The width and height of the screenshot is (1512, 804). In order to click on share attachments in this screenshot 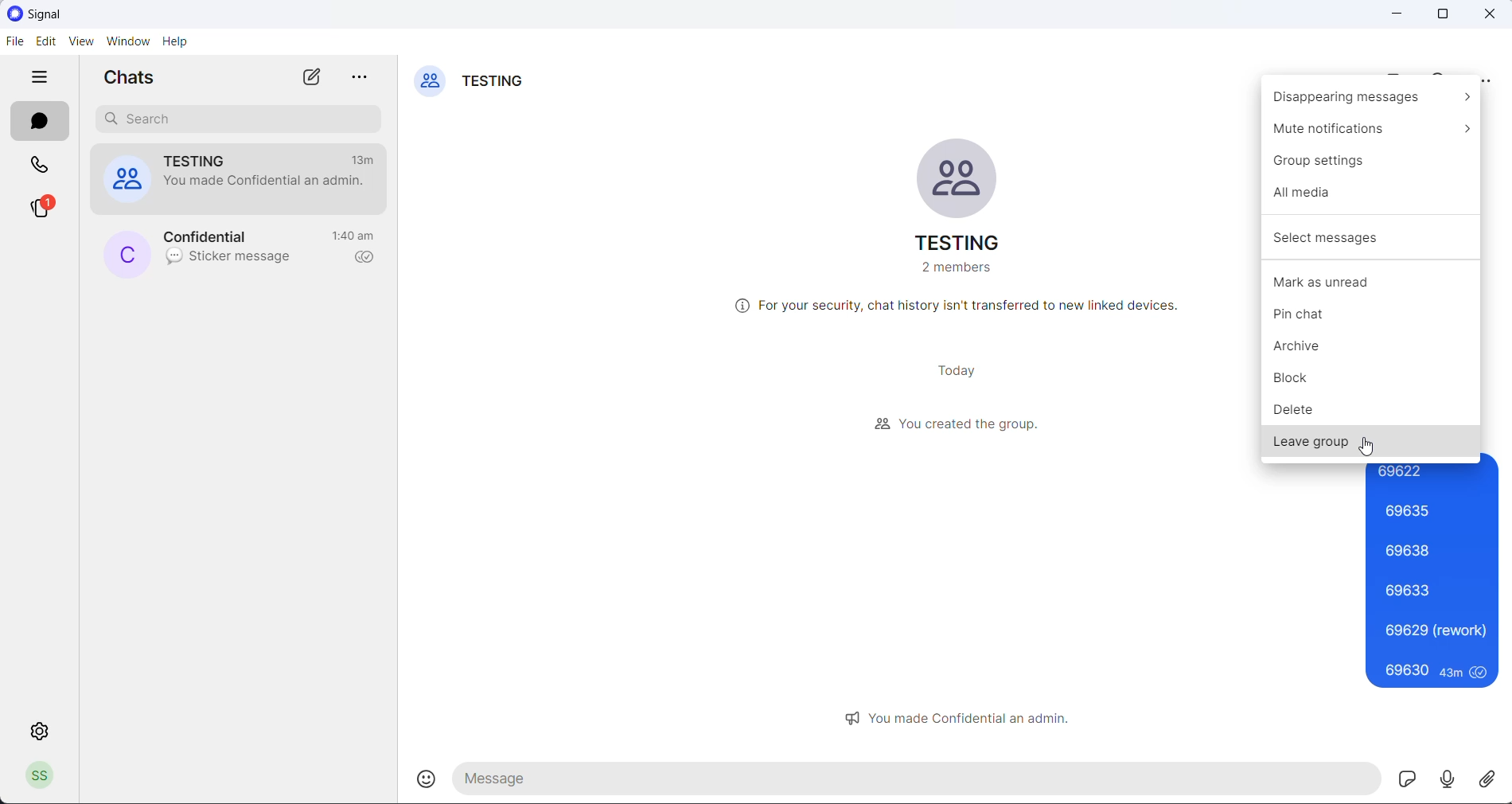, I will do `click(1493, 777)`.